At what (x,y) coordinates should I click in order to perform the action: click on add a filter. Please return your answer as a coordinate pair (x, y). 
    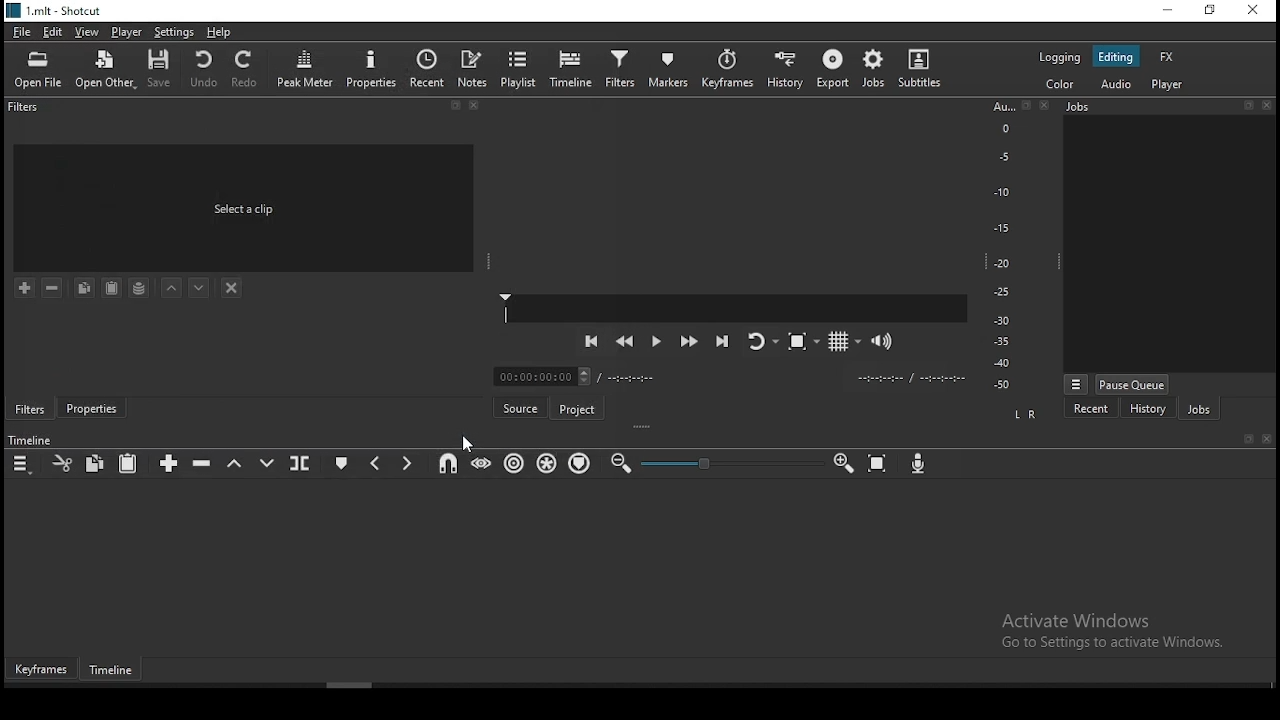
    Looking at the image, I should click on (26, 289).